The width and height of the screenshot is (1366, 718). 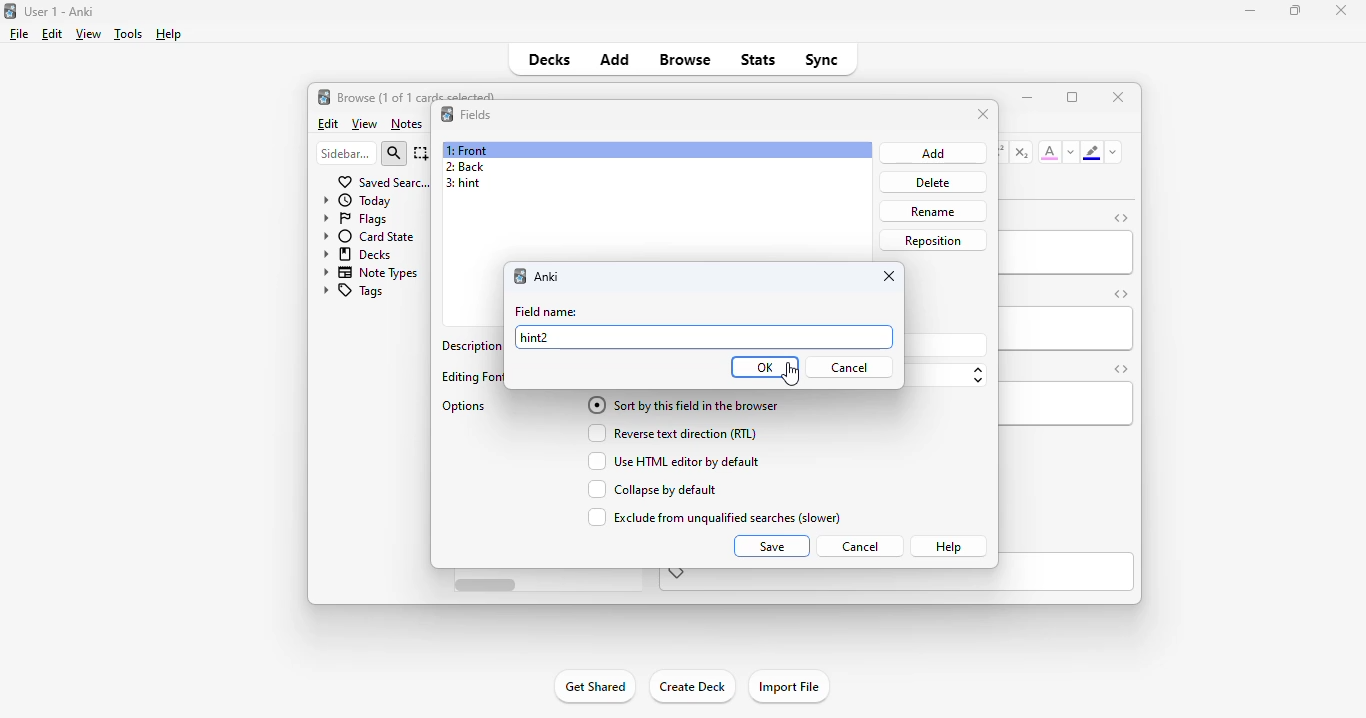 I want to click on rename, so click(x=932, y=211).